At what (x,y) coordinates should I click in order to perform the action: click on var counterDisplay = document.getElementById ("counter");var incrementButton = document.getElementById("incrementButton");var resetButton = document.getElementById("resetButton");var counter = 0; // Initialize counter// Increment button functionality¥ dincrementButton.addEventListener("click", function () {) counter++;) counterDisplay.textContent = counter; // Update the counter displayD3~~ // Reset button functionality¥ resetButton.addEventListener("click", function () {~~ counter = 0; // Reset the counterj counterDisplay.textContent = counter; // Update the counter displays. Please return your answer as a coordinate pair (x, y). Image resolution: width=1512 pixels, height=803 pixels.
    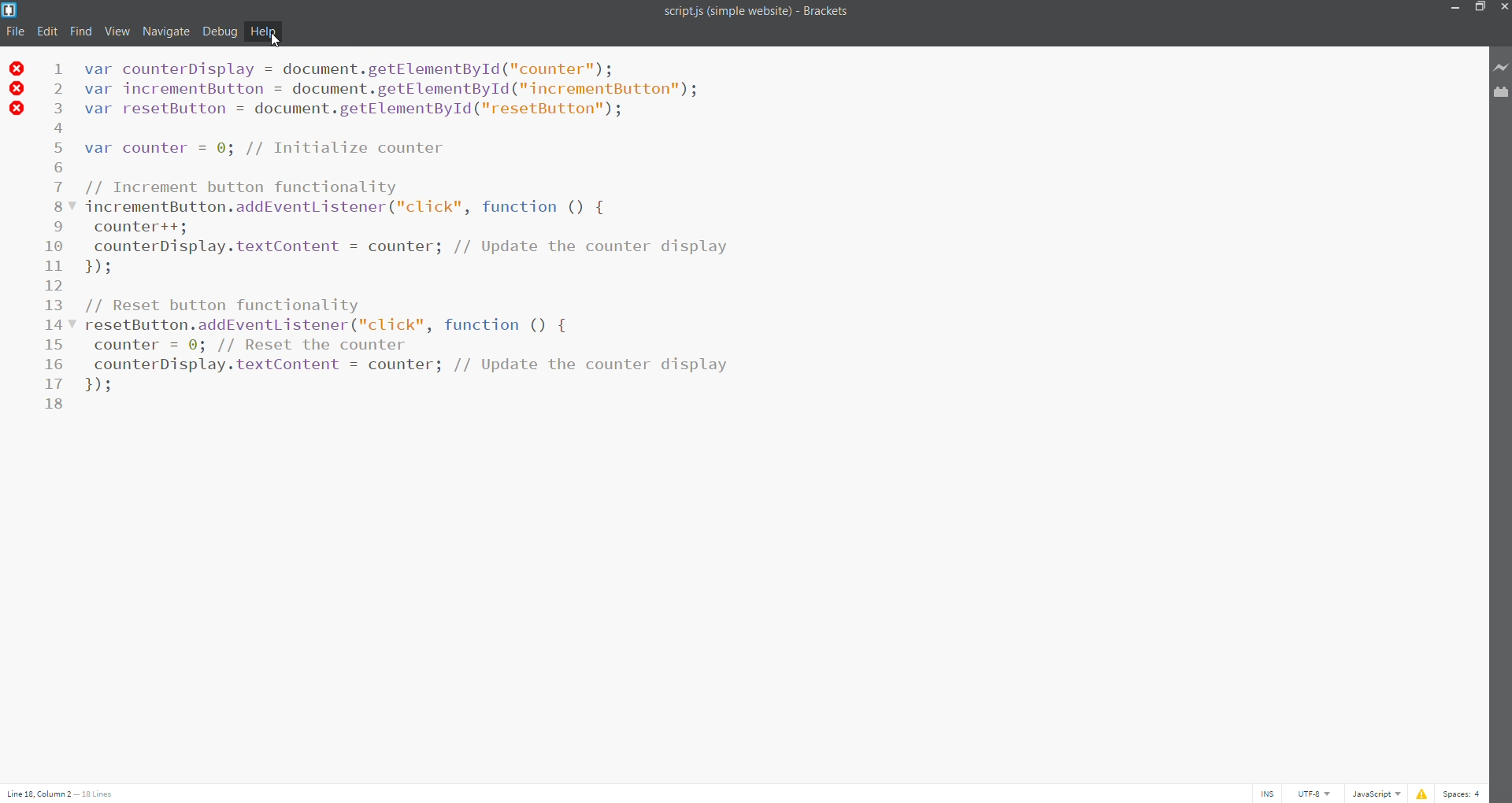
    Looking at the image, I should click on (551, 235).